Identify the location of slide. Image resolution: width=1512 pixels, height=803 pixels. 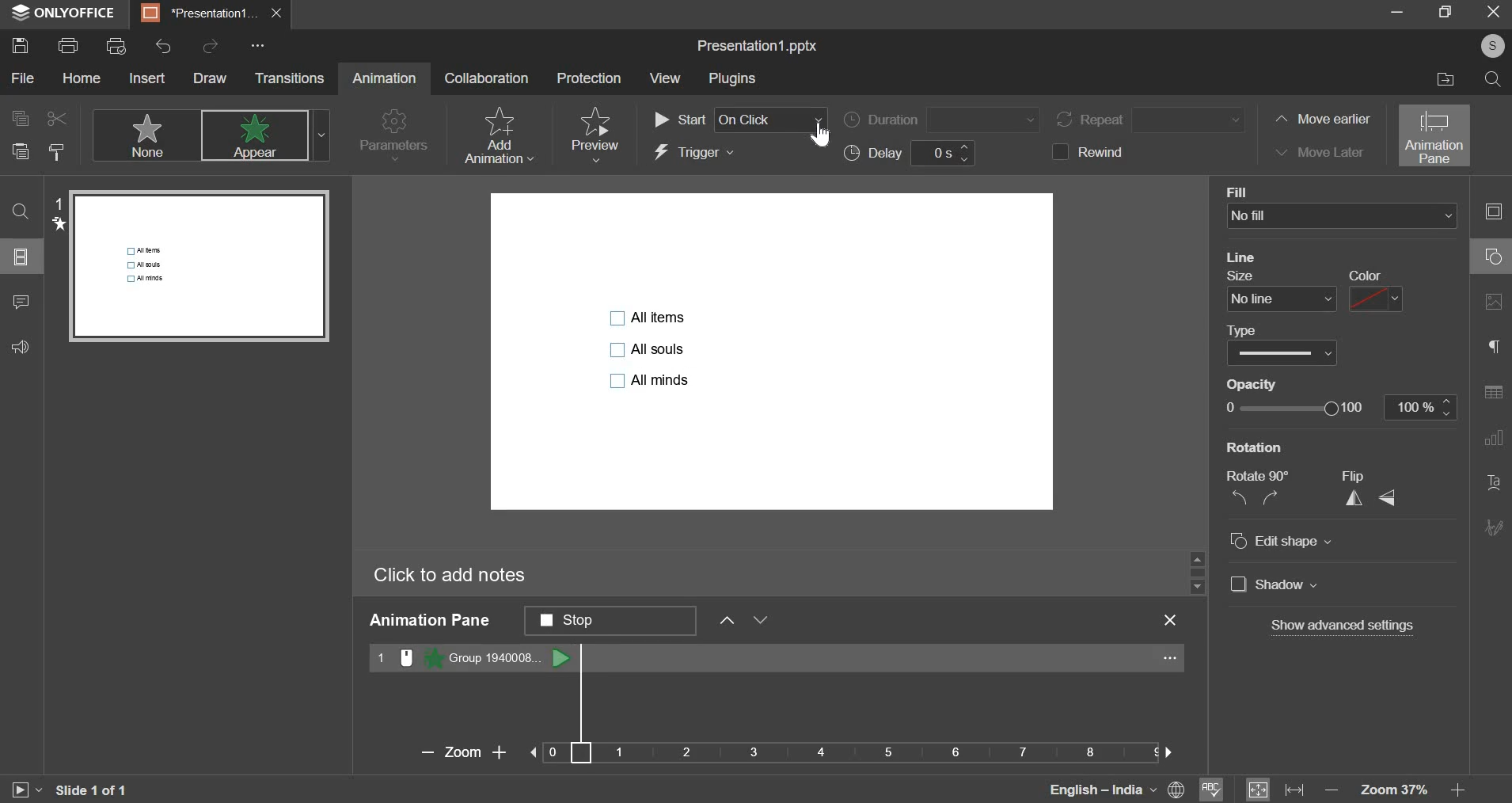
(23, 257).